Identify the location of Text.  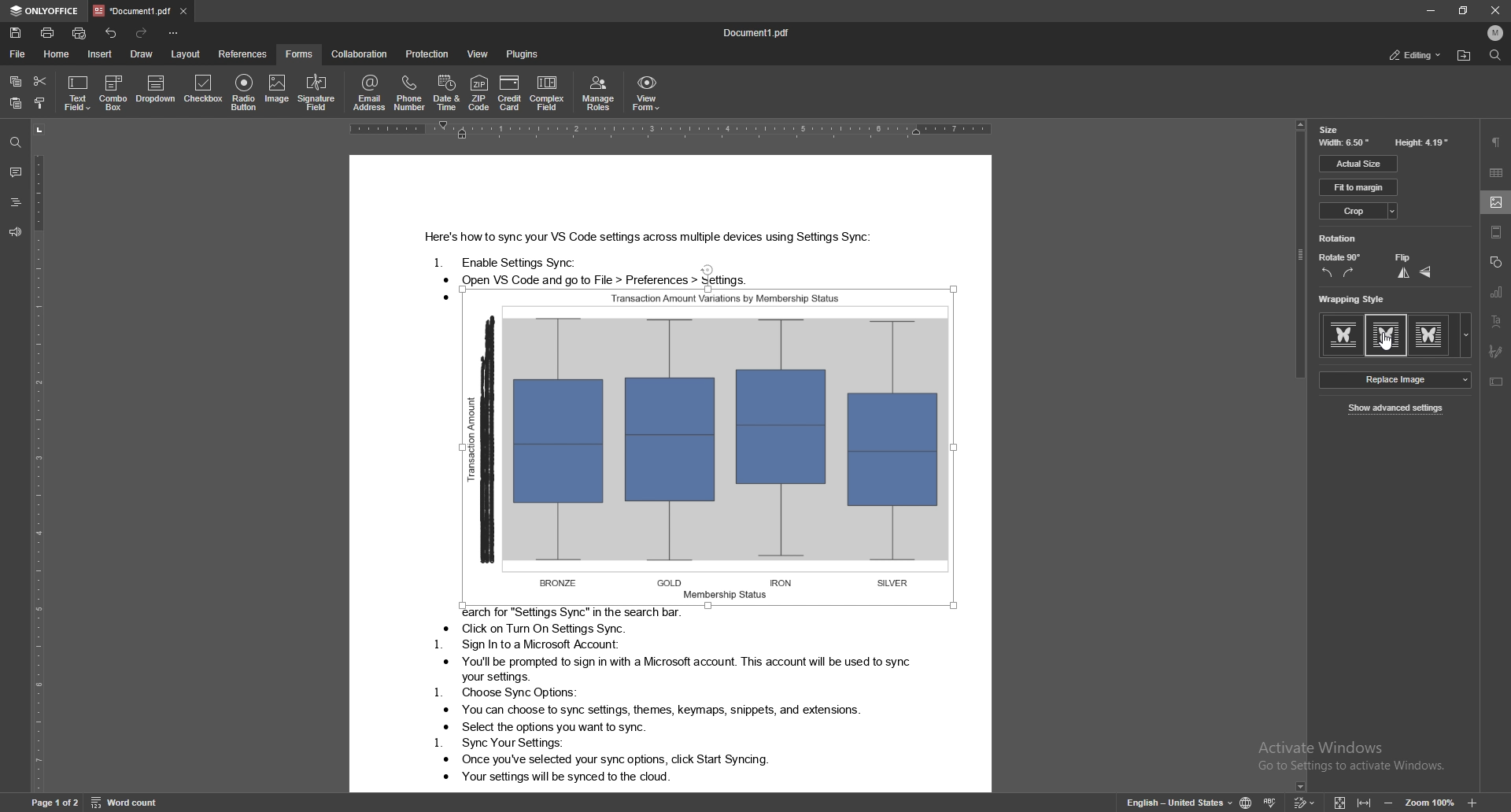
(646, 699).